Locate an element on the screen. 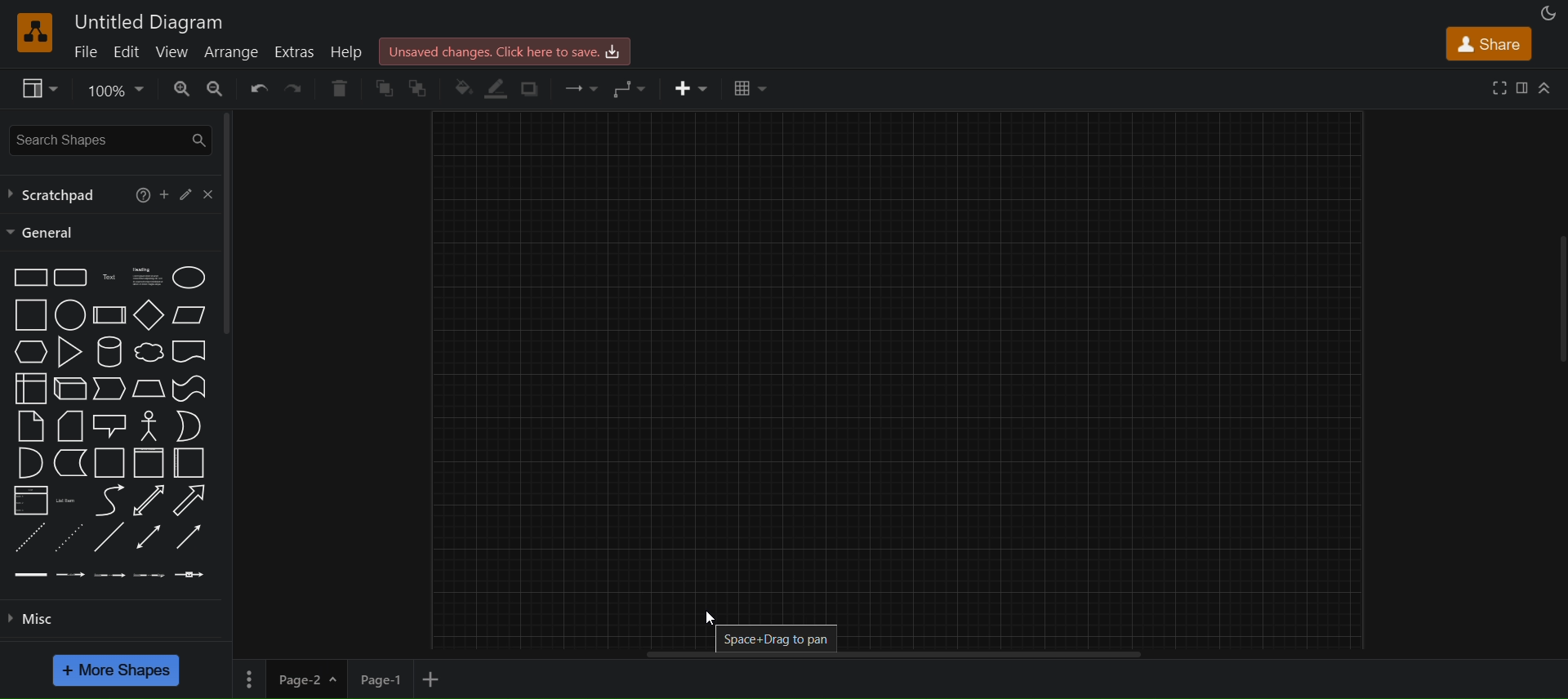  file is located at coordinates (85, 52).